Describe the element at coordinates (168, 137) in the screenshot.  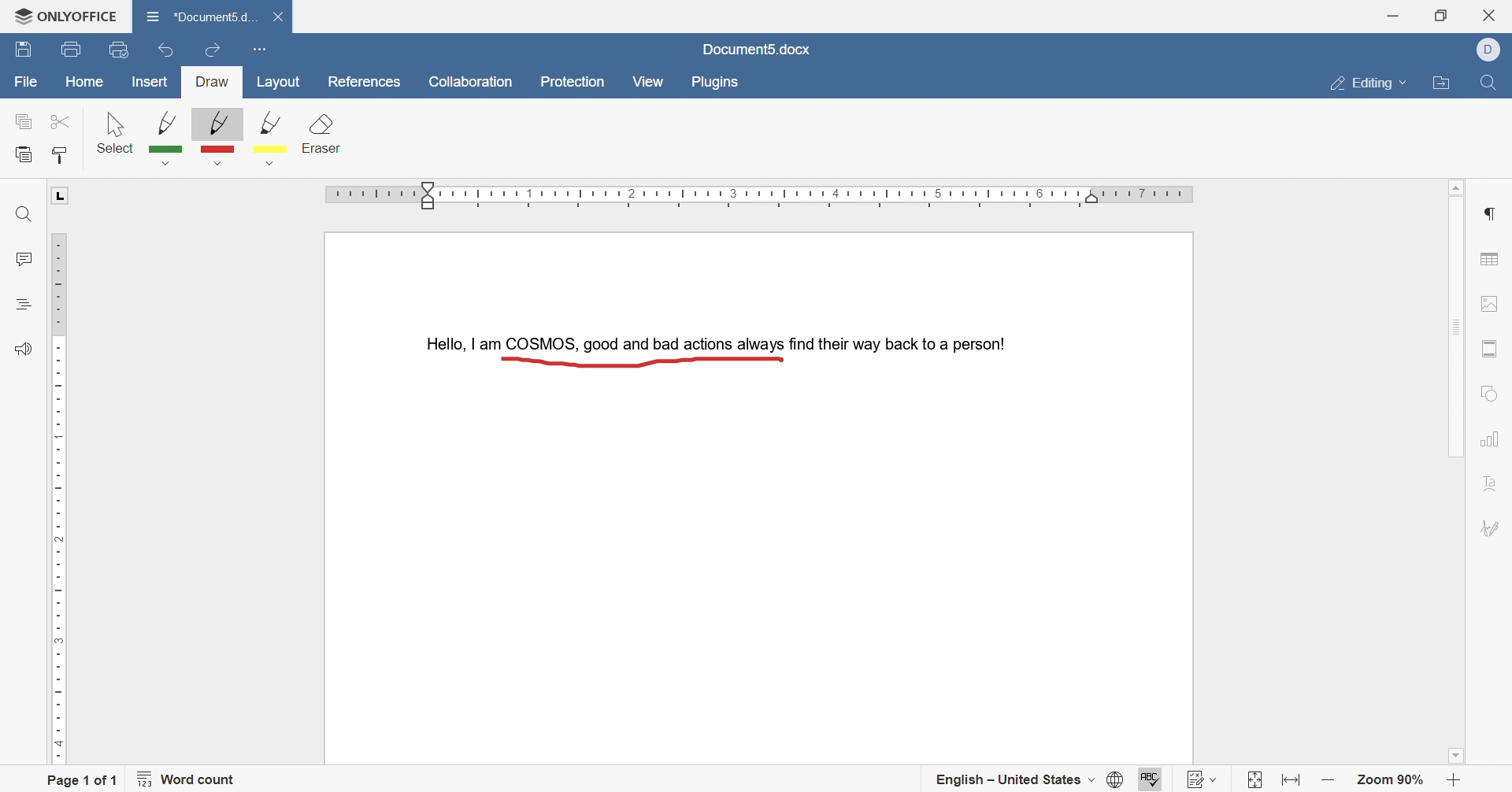
I see `green pen ` at that location.